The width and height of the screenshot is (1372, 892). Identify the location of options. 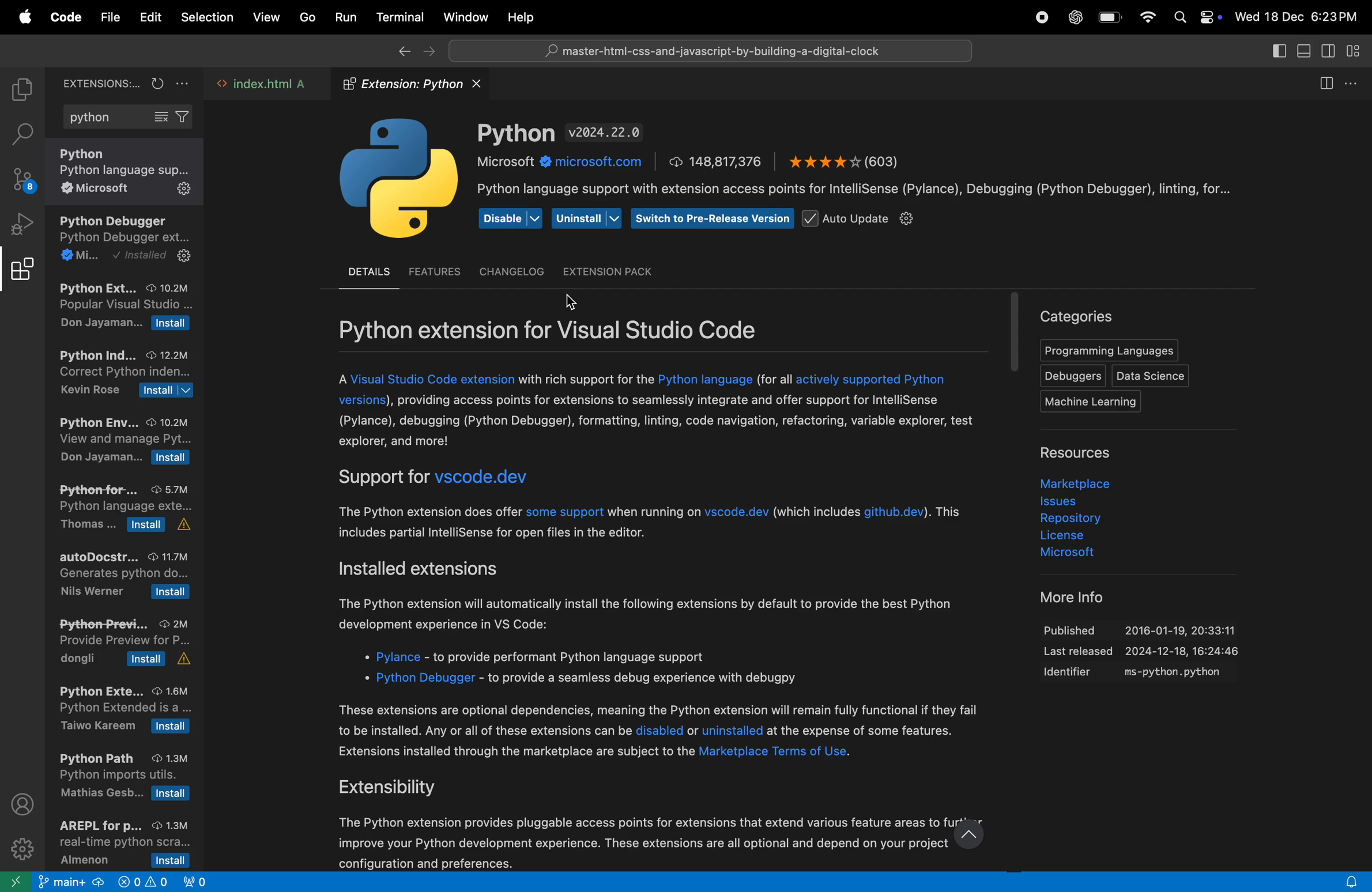
(184, 83).